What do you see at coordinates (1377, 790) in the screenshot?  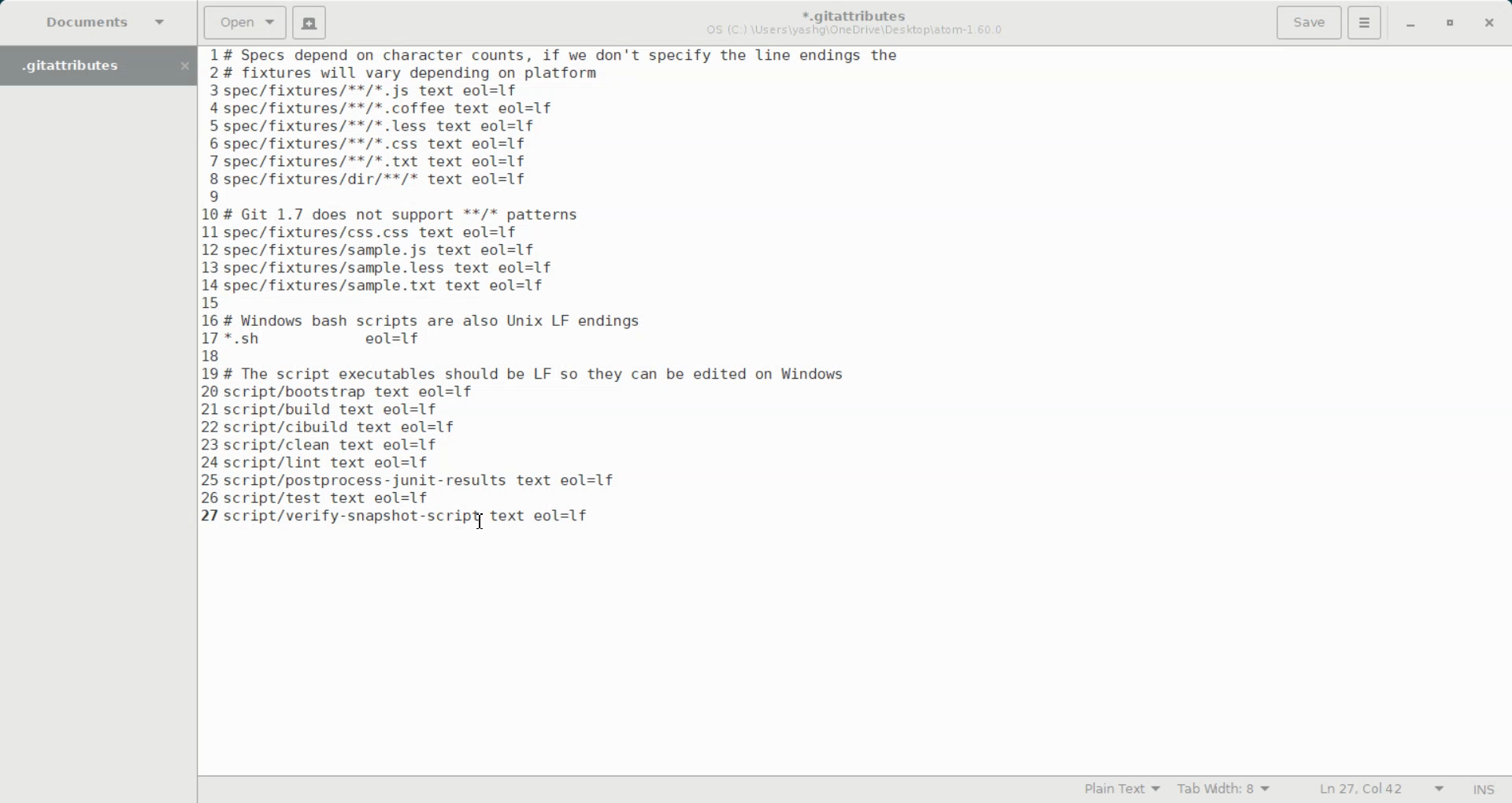 I see `Ln 27, Col 42` at bounding box center [1377, 790].